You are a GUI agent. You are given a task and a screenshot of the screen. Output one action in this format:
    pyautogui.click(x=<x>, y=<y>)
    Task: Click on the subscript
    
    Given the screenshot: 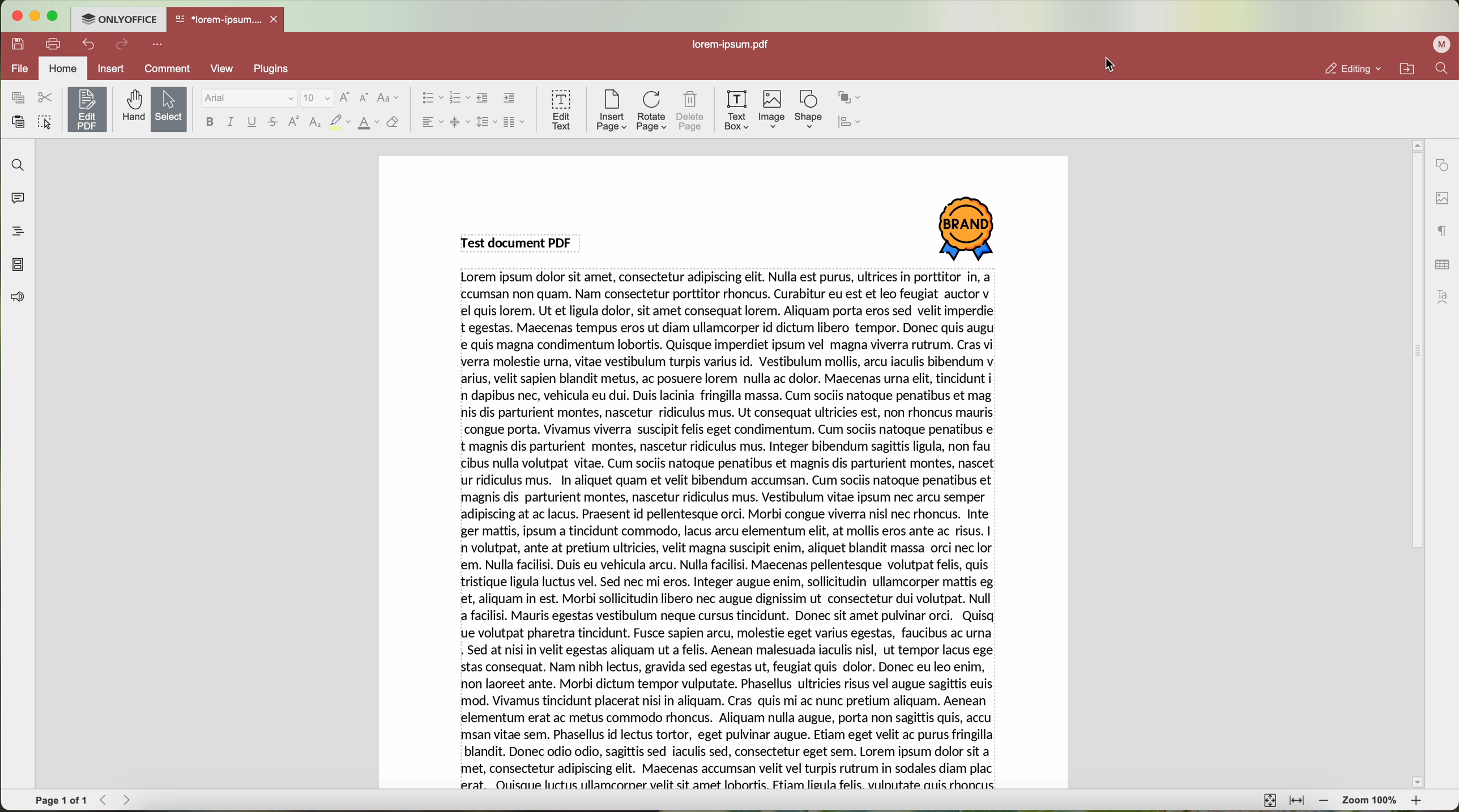 What is the action you would take?
    pyautogui.click(x=316, y=123)
    